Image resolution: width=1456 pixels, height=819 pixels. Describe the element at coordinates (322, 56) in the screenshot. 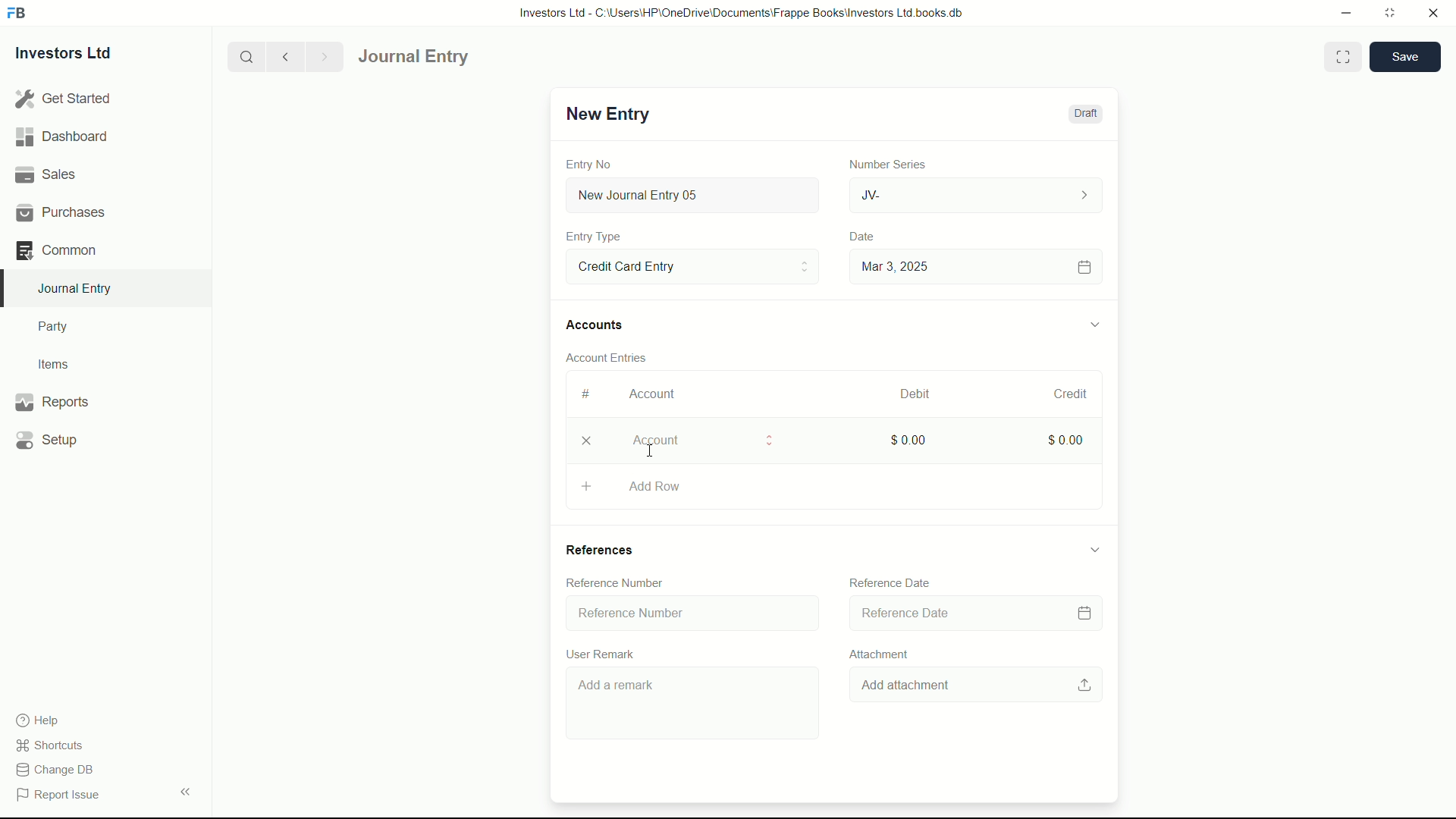

I see `Next` at that location.